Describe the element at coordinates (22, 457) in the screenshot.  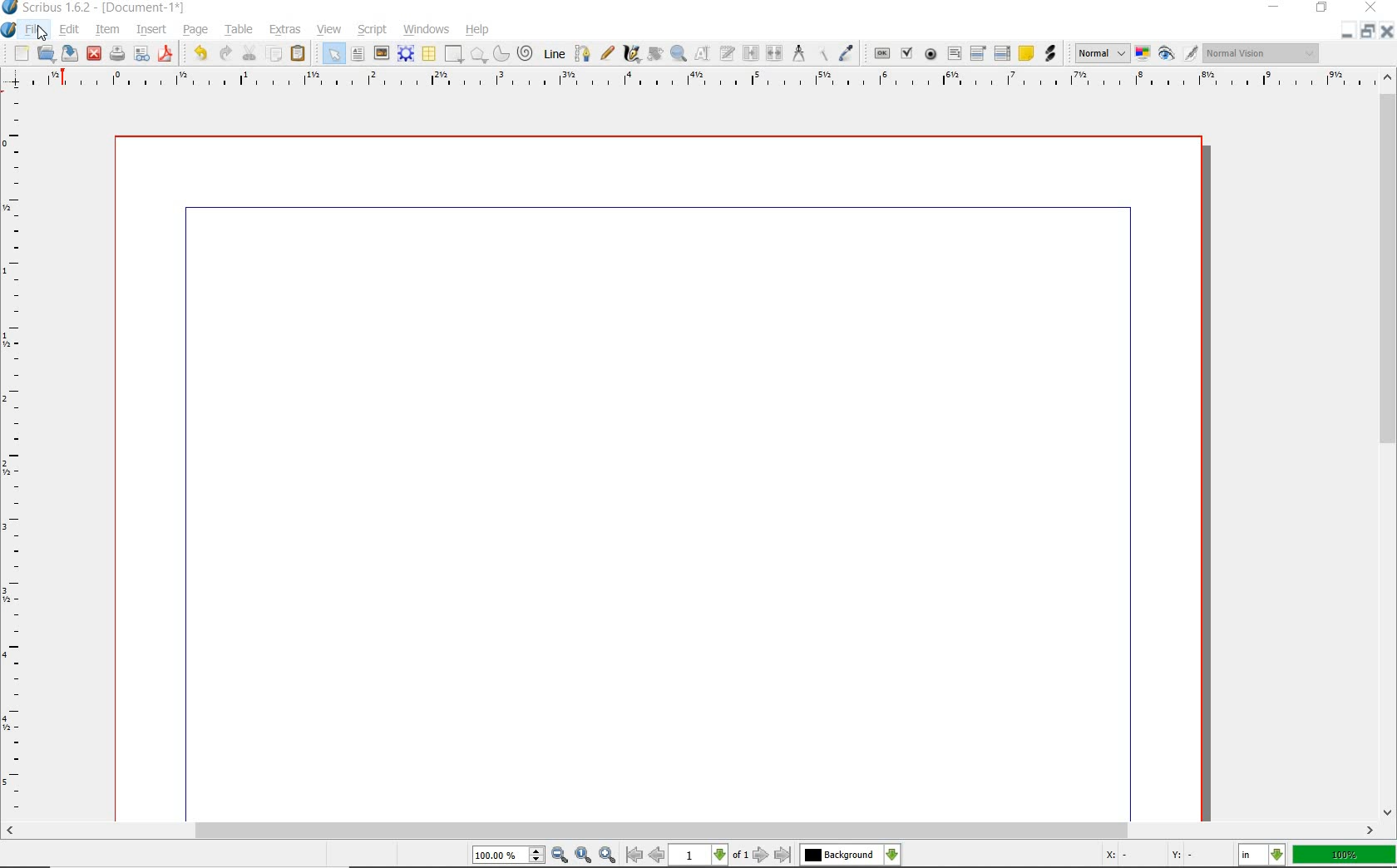
I see `ruler` at that location.